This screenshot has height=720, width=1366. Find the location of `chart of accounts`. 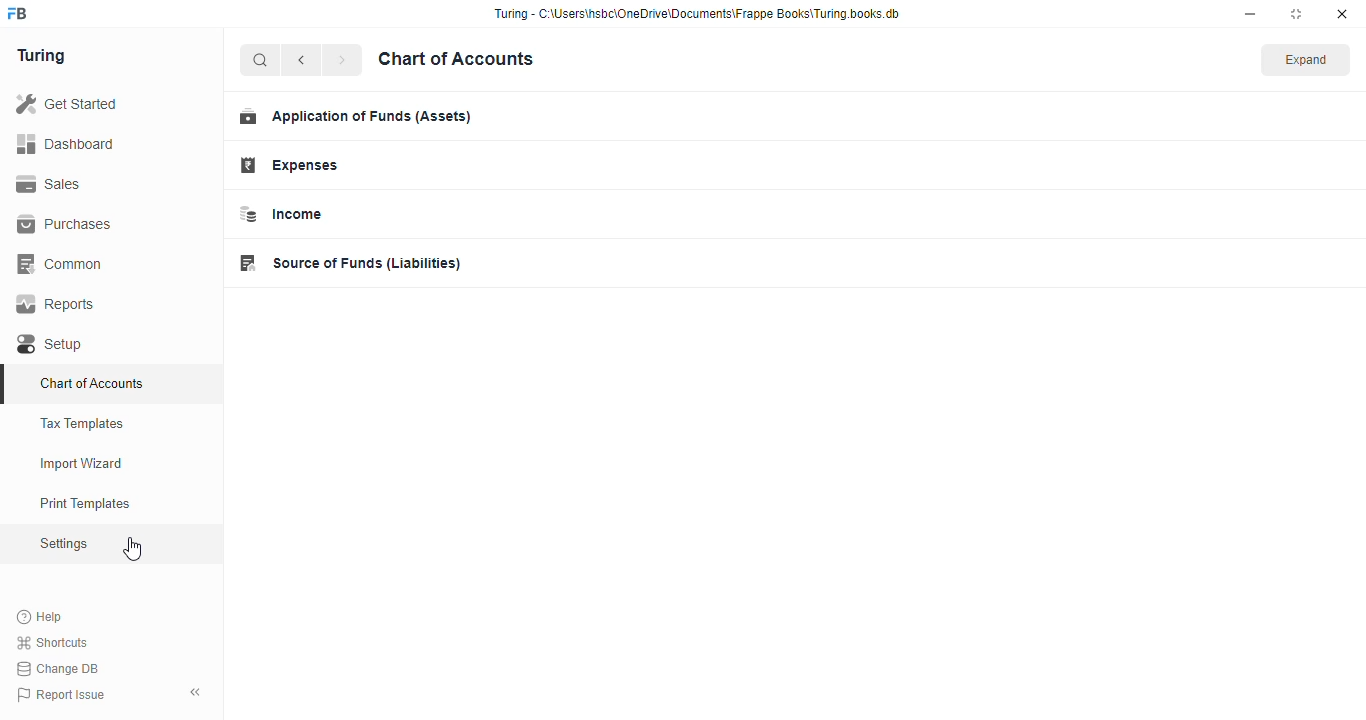

chart of accounts is located at coordinates (456, 59).